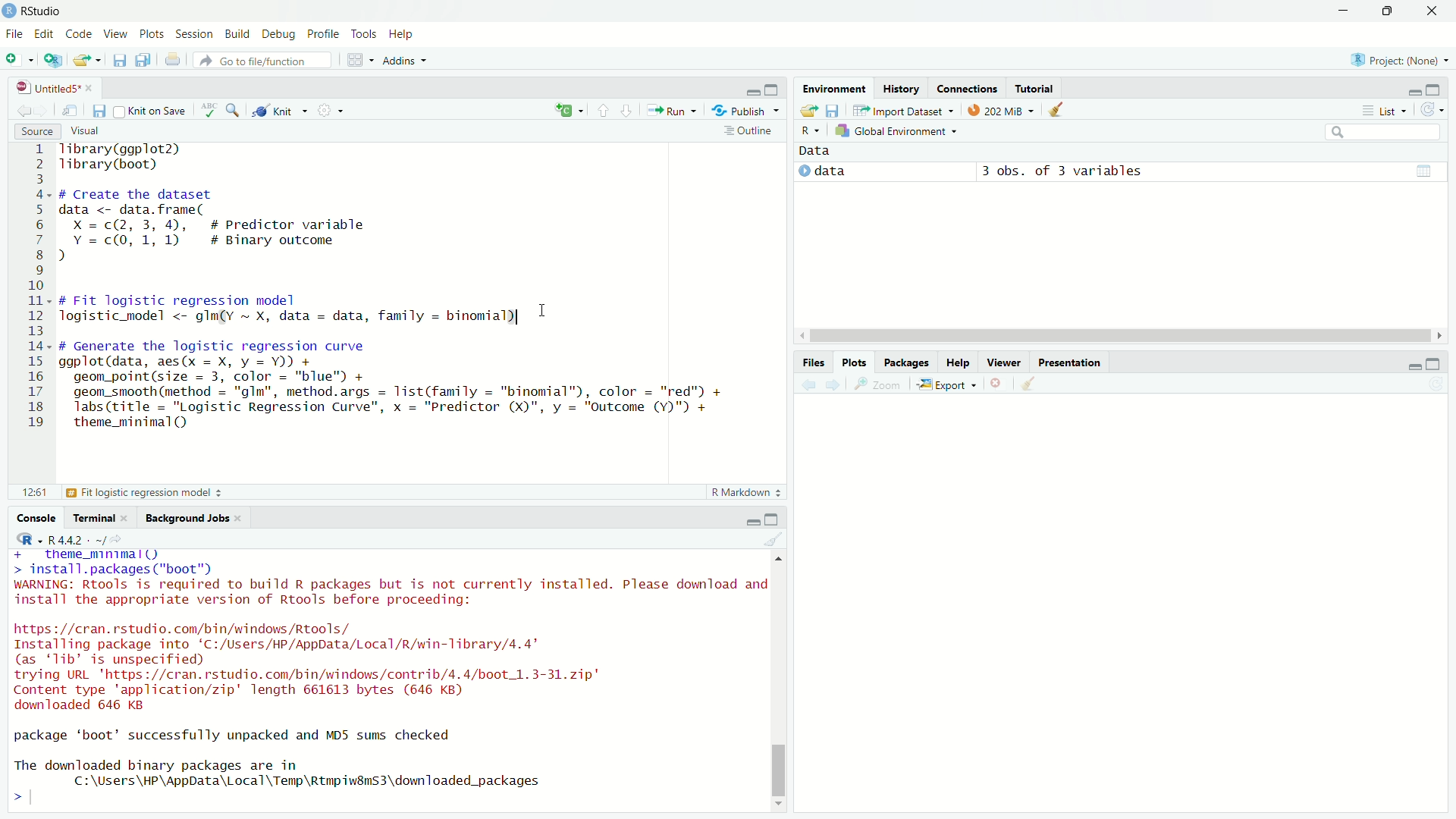  What do you see at coordinates (815, 151) in the screenshot?
I see `Data` at bounding box center [815, 151].